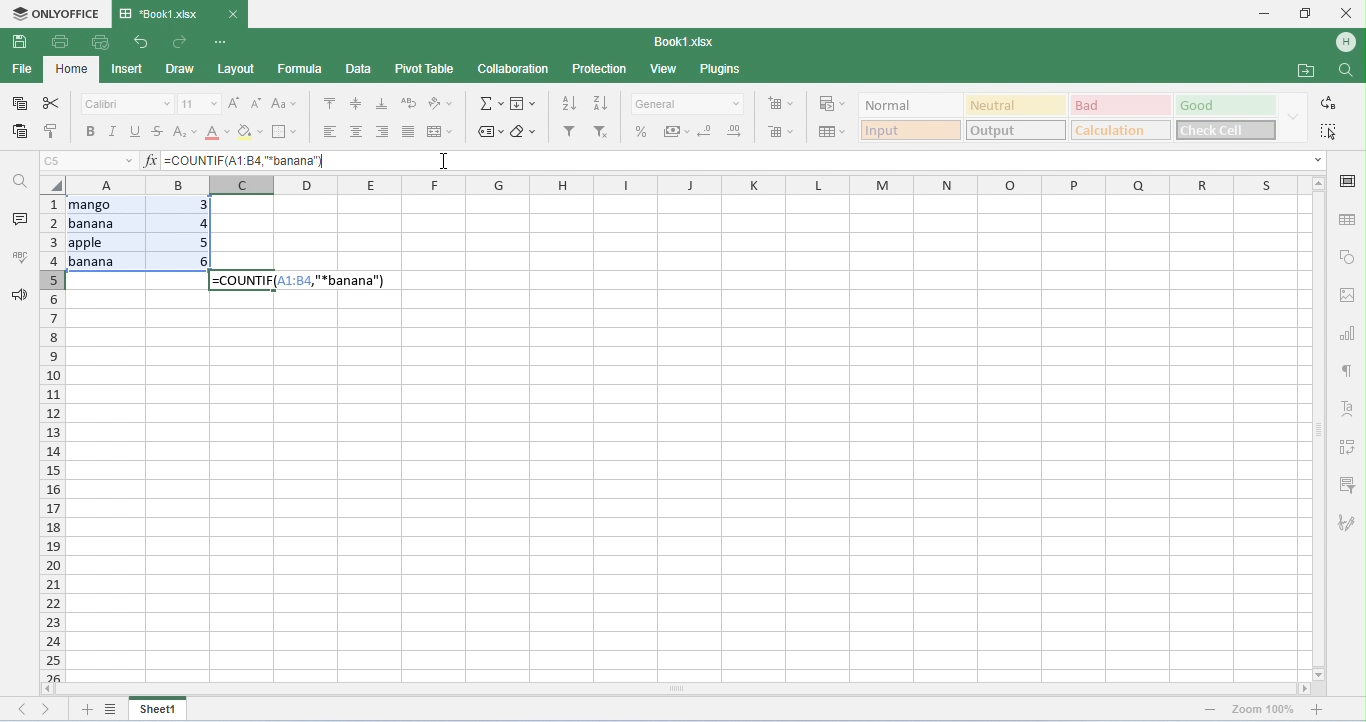 The height and width of the screenshot is (722, 1366). I want to click on save, so click(20, 43).